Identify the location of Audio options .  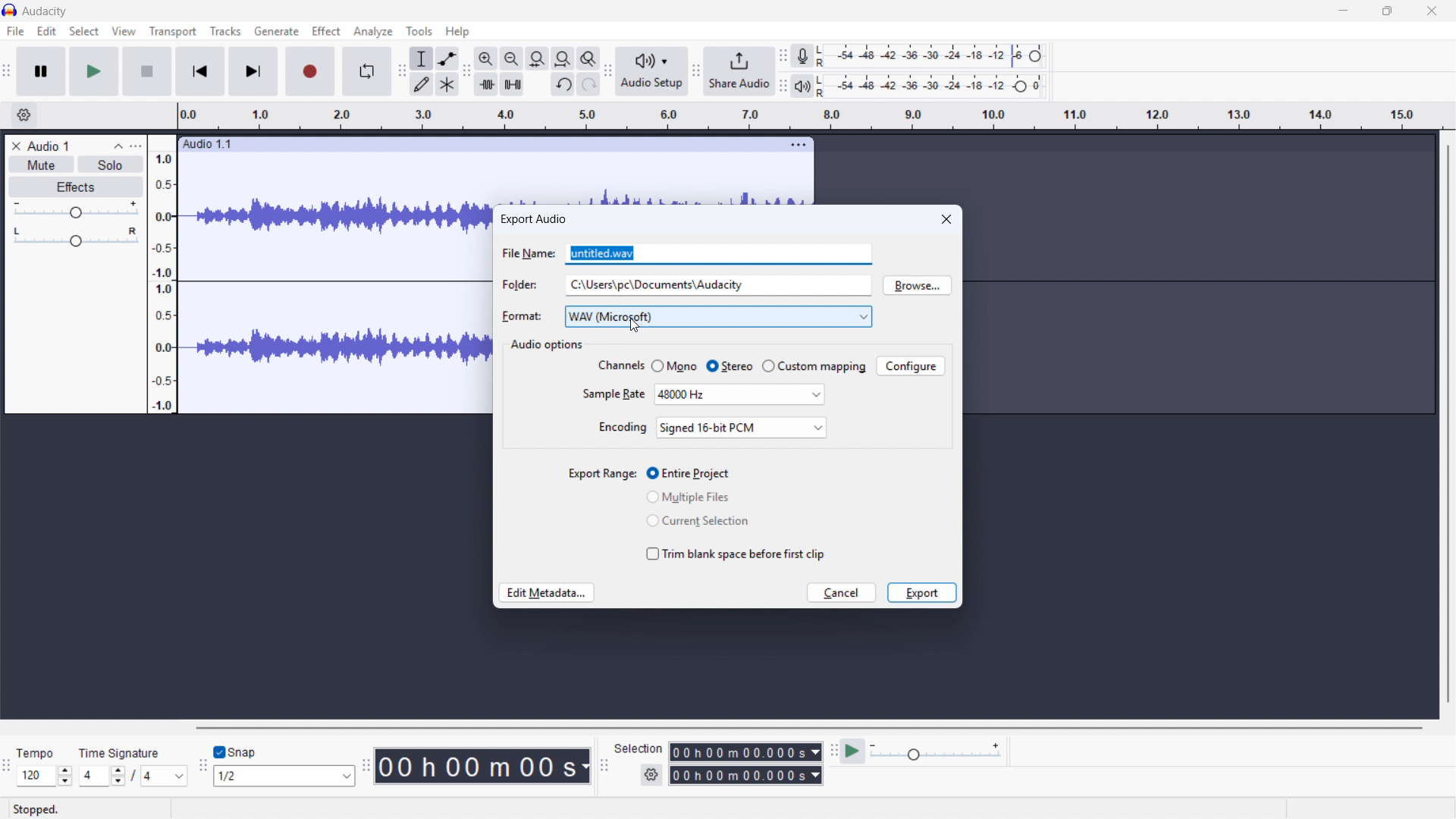
(548, 345).